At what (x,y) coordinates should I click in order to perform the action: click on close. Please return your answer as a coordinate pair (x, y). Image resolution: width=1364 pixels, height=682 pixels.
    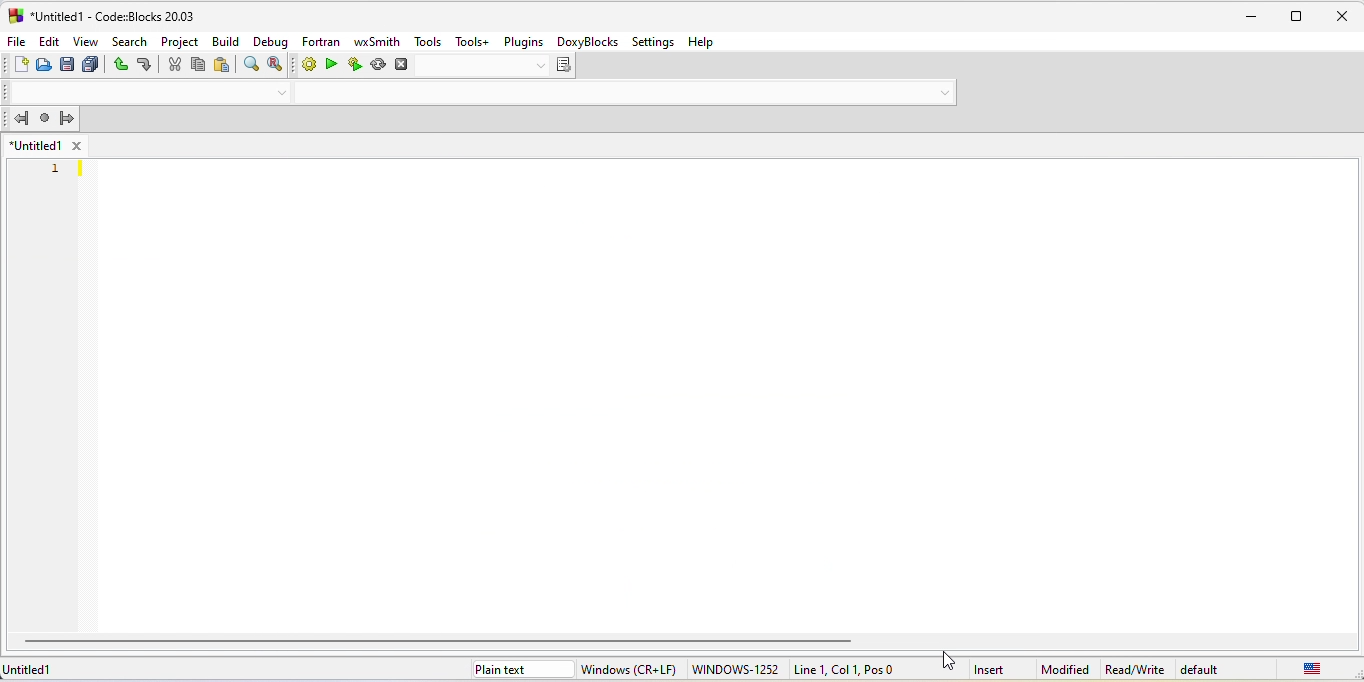
    Looking at the image, I should click on (75, 145).